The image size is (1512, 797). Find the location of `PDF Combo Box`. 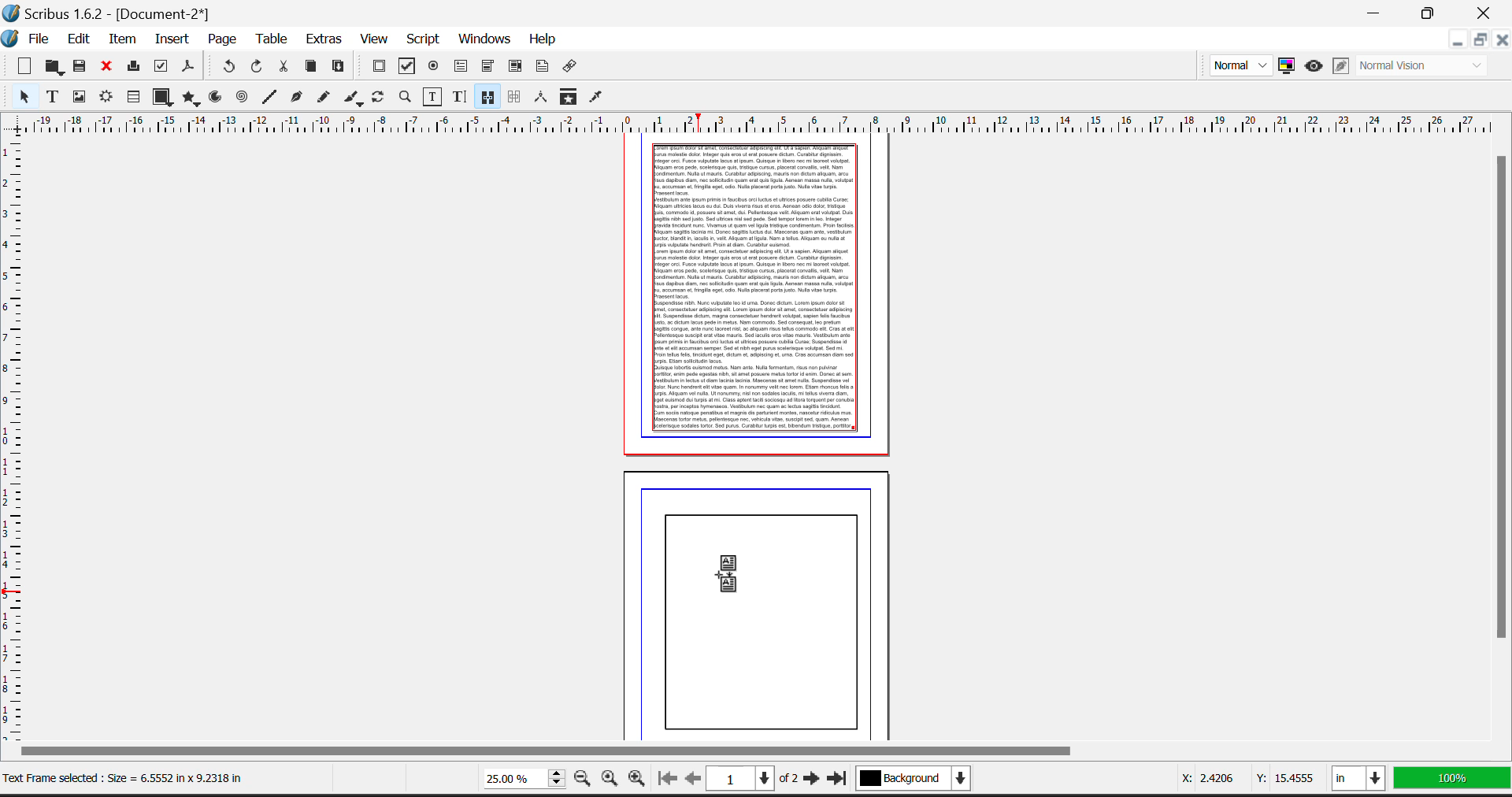

PDF Combo Box is located at coordinates (487, 67).